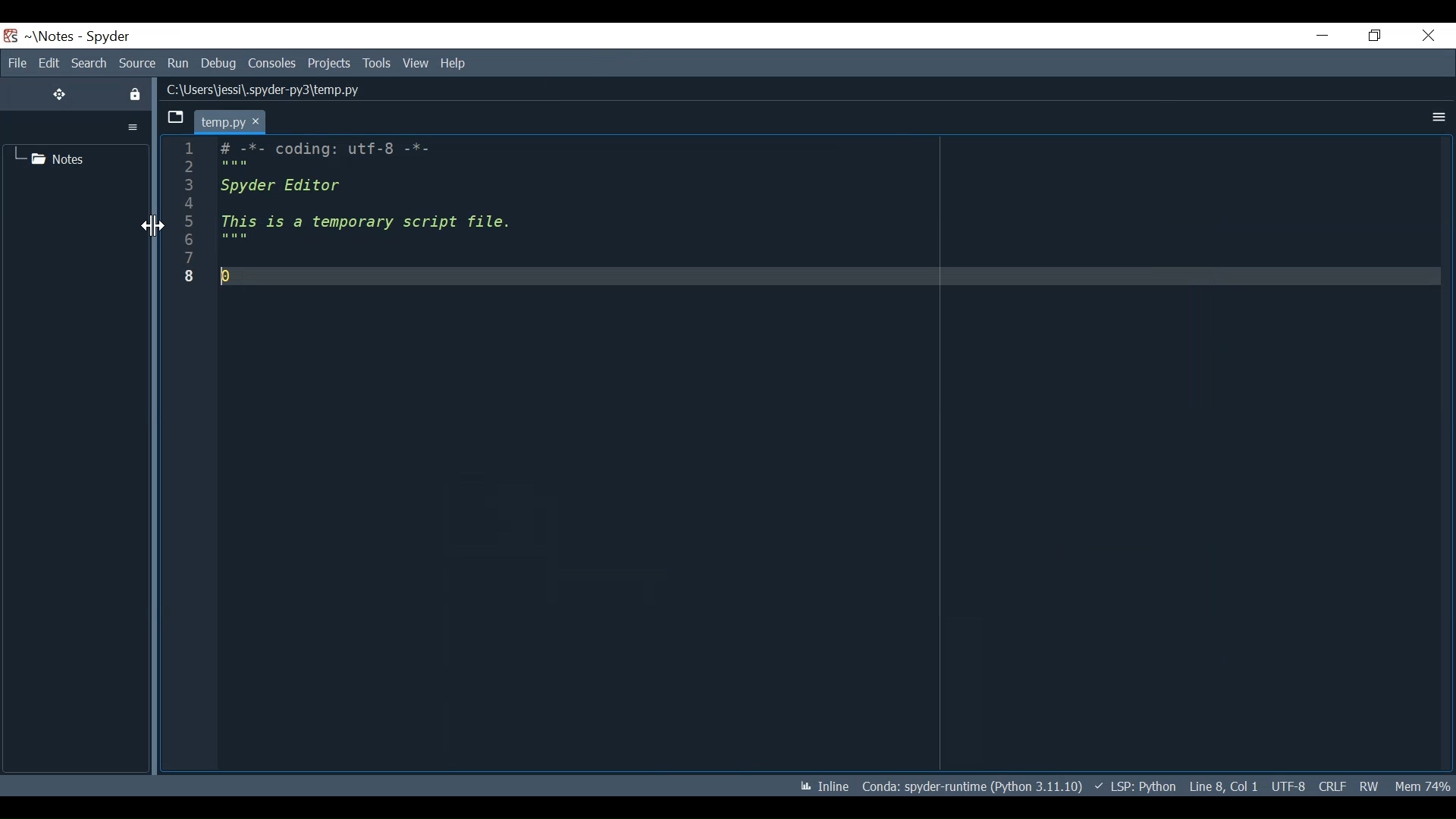 Image resolution: width=1456 pixels, height=819 pixels. I want to click on View, so click(416, 64).